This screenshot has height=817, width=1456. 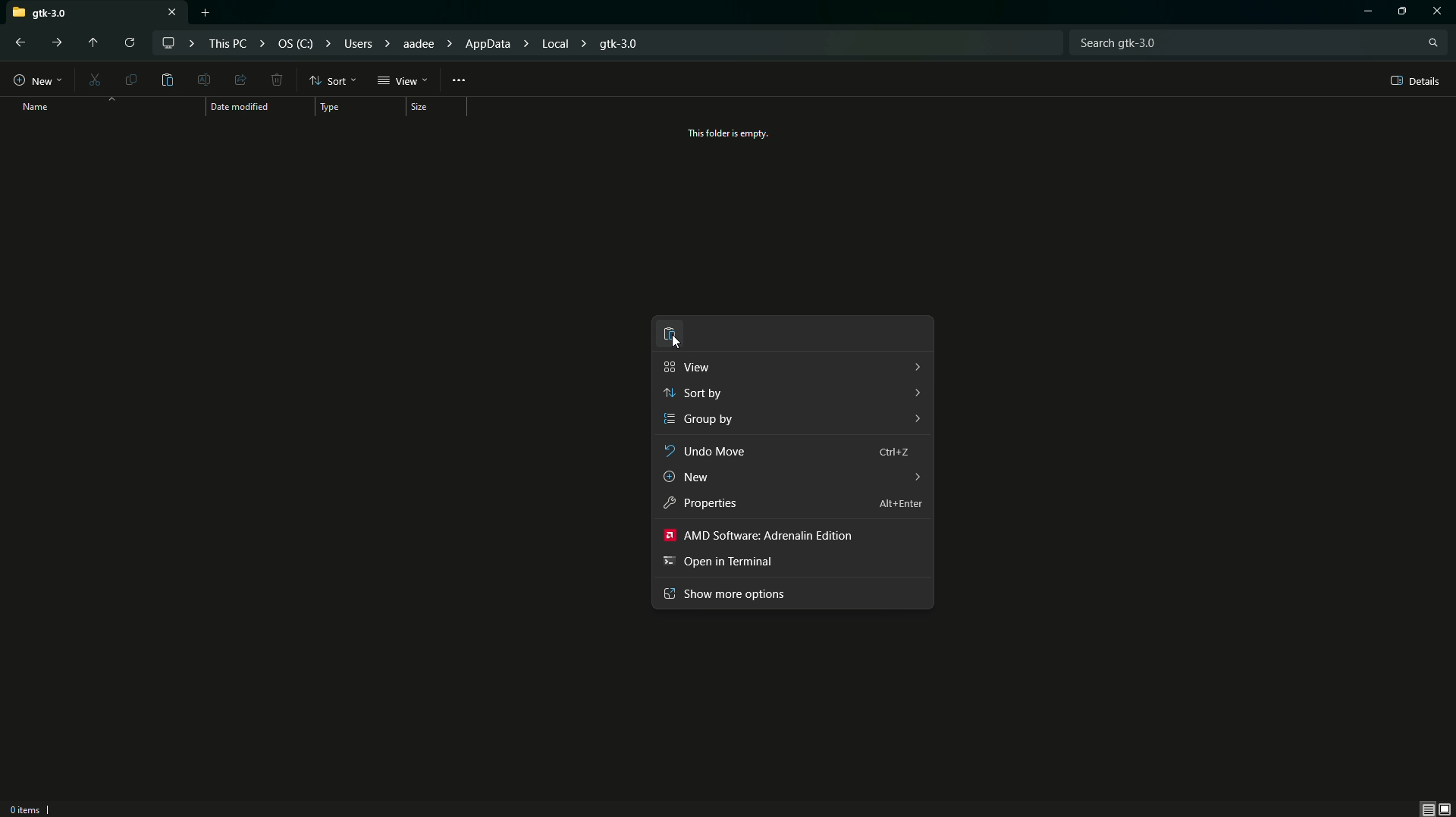 What do you see at coordinates (792, 449) in the screenshot?
I see `Undo` at bounding box center [792, 449].